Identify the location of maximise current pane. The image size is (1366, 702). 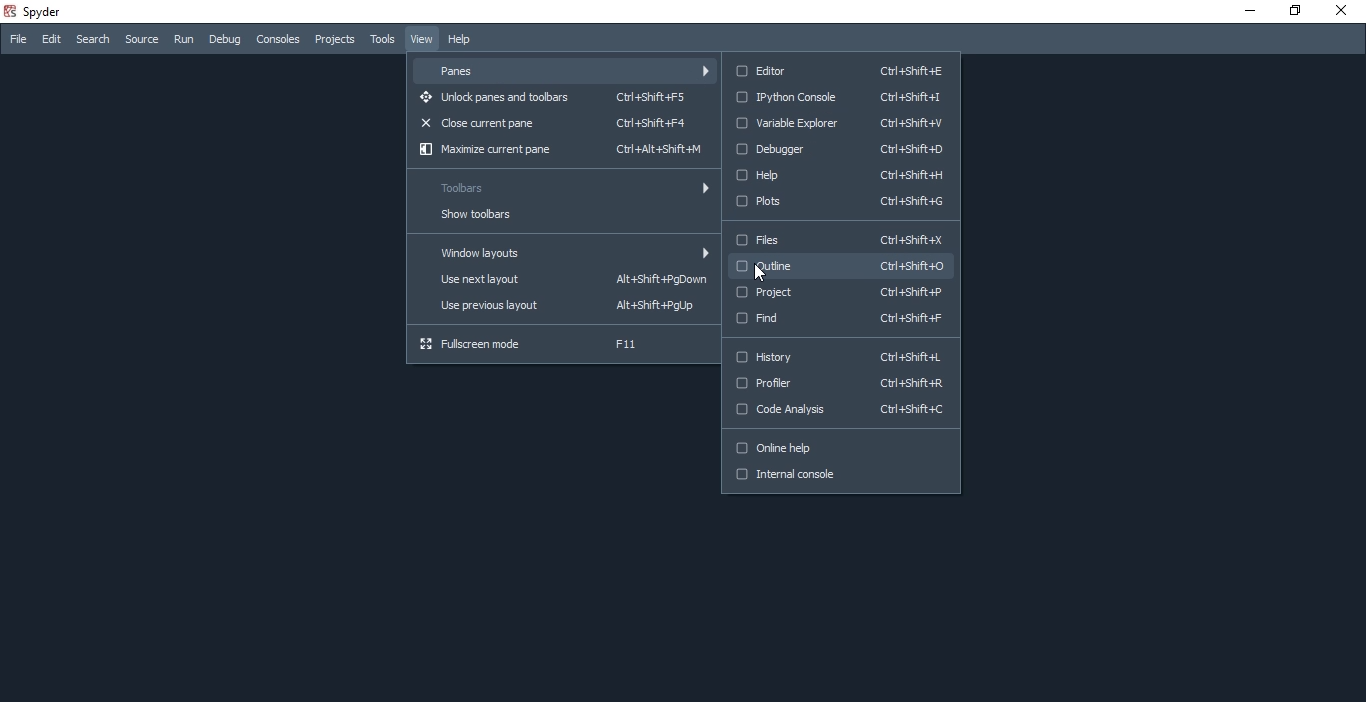
(559, 151).